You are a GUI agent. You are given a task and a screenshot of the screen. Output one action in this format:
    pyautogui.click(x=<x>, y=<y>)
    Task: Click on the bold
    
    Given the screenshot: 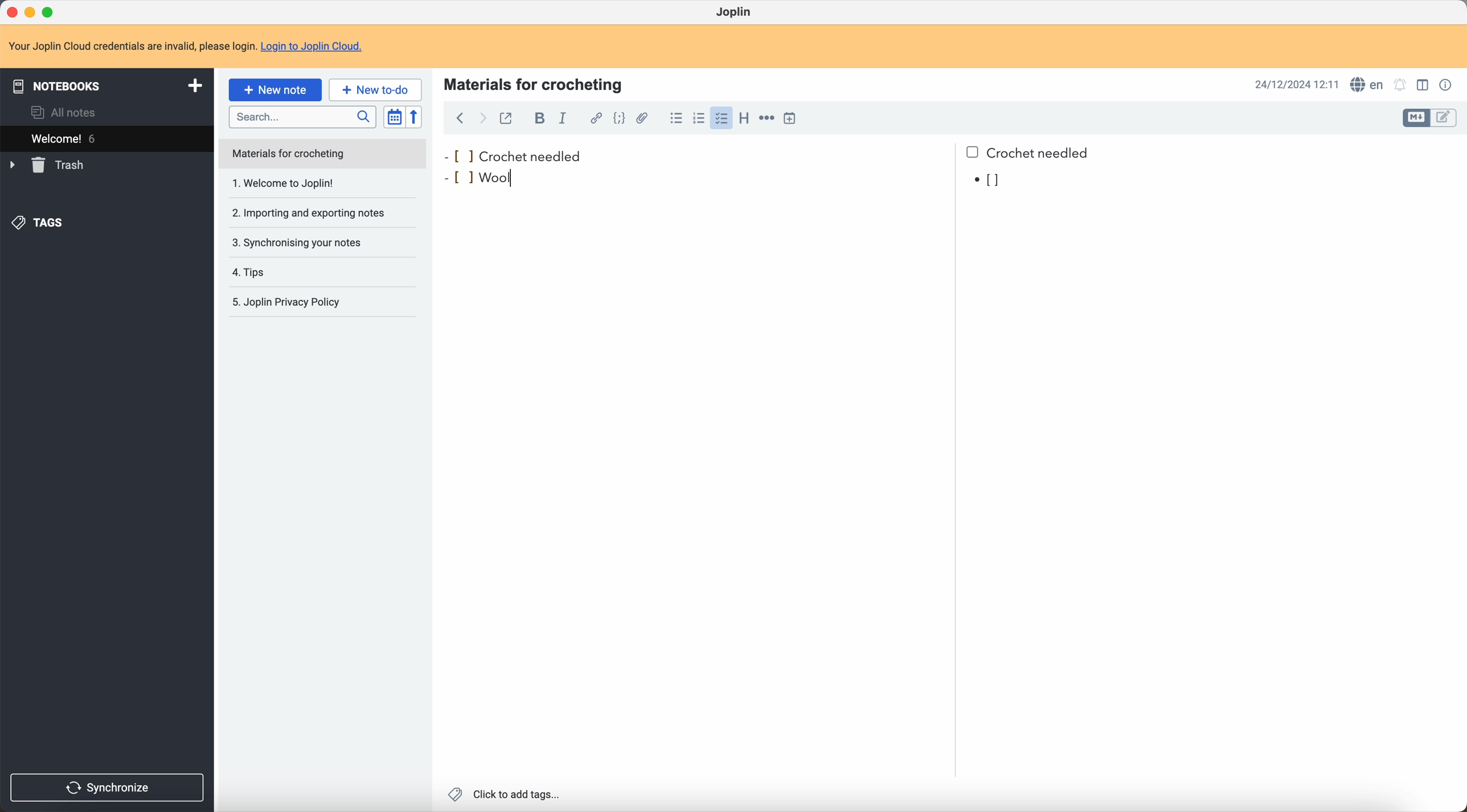 What is the action you would take?
    pyautogui.click(x=536, y=118)
    